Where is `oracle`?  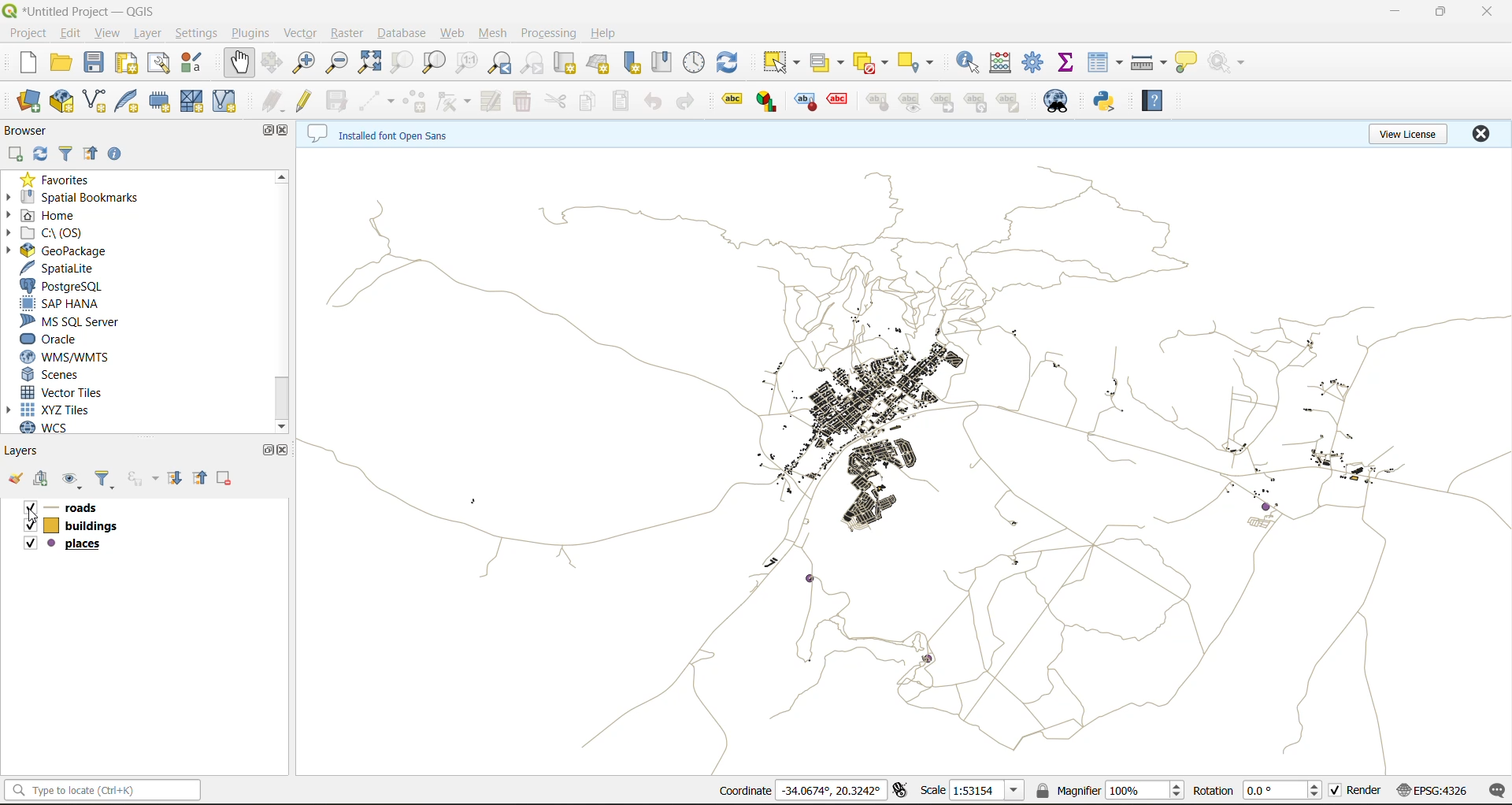 oracle is located at coordinates (75, 340).